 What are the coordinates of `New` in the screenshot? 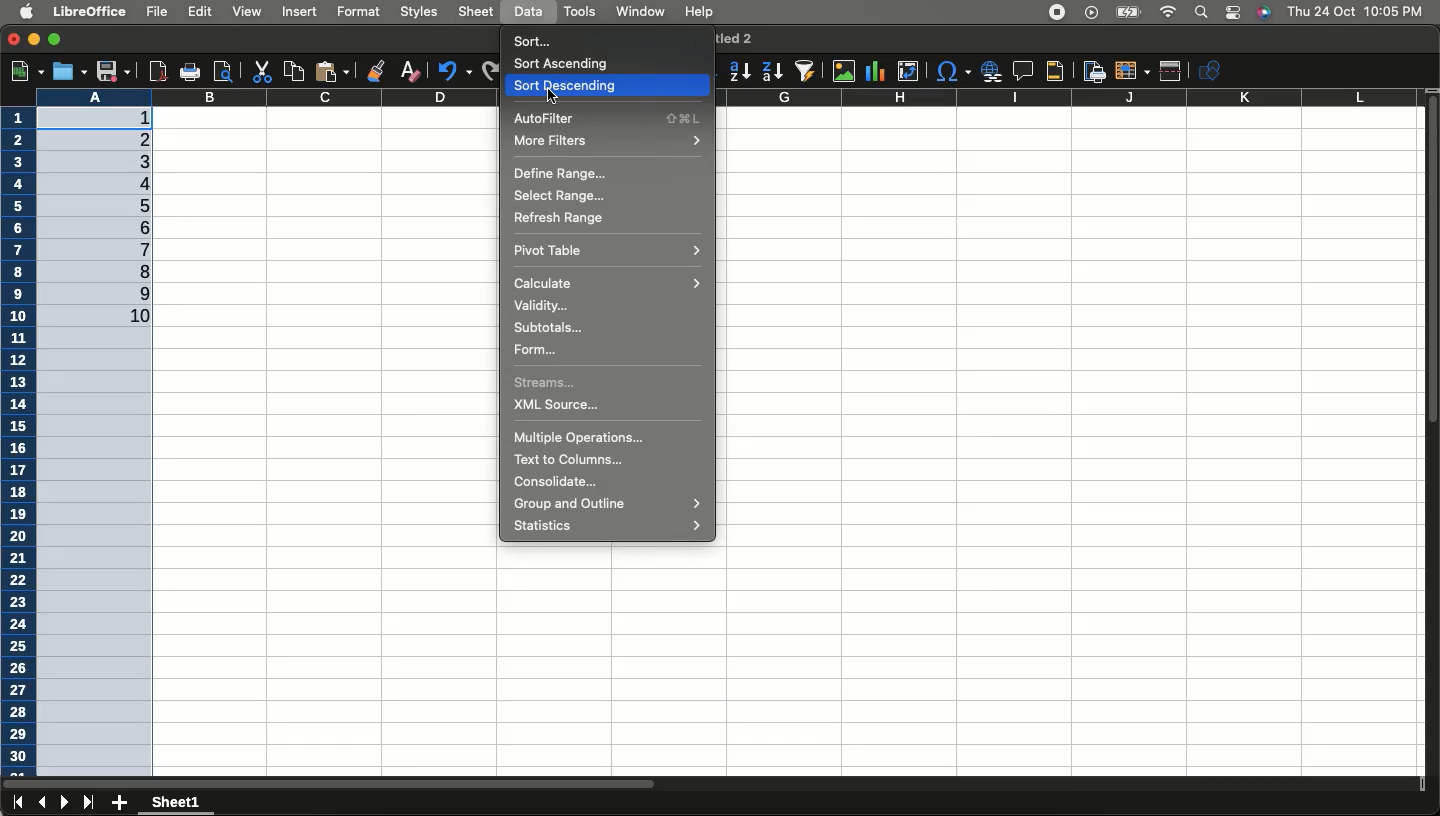 It's located at (25, 69).